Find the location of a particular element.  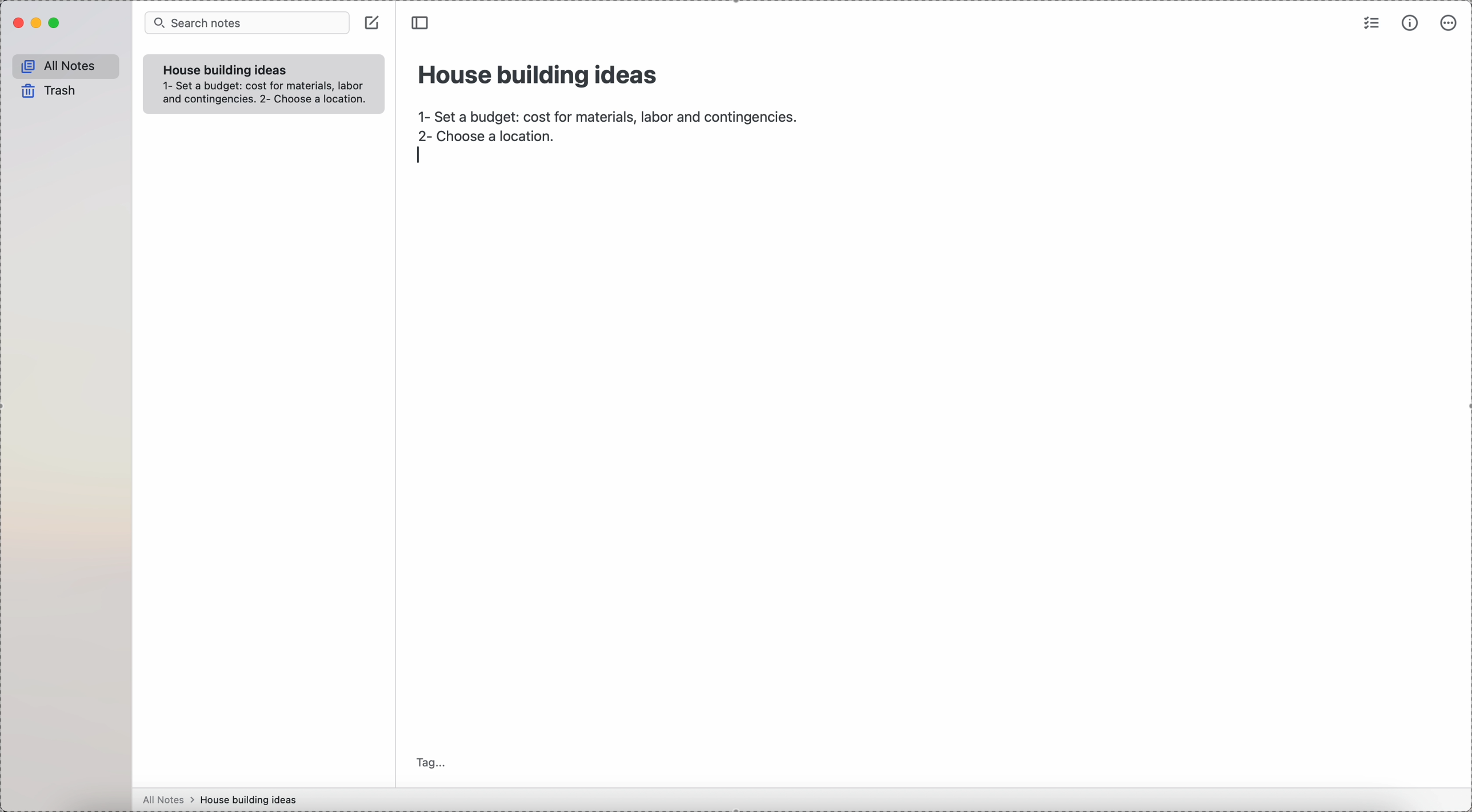

choose a location is located at coordinates (491, 136).